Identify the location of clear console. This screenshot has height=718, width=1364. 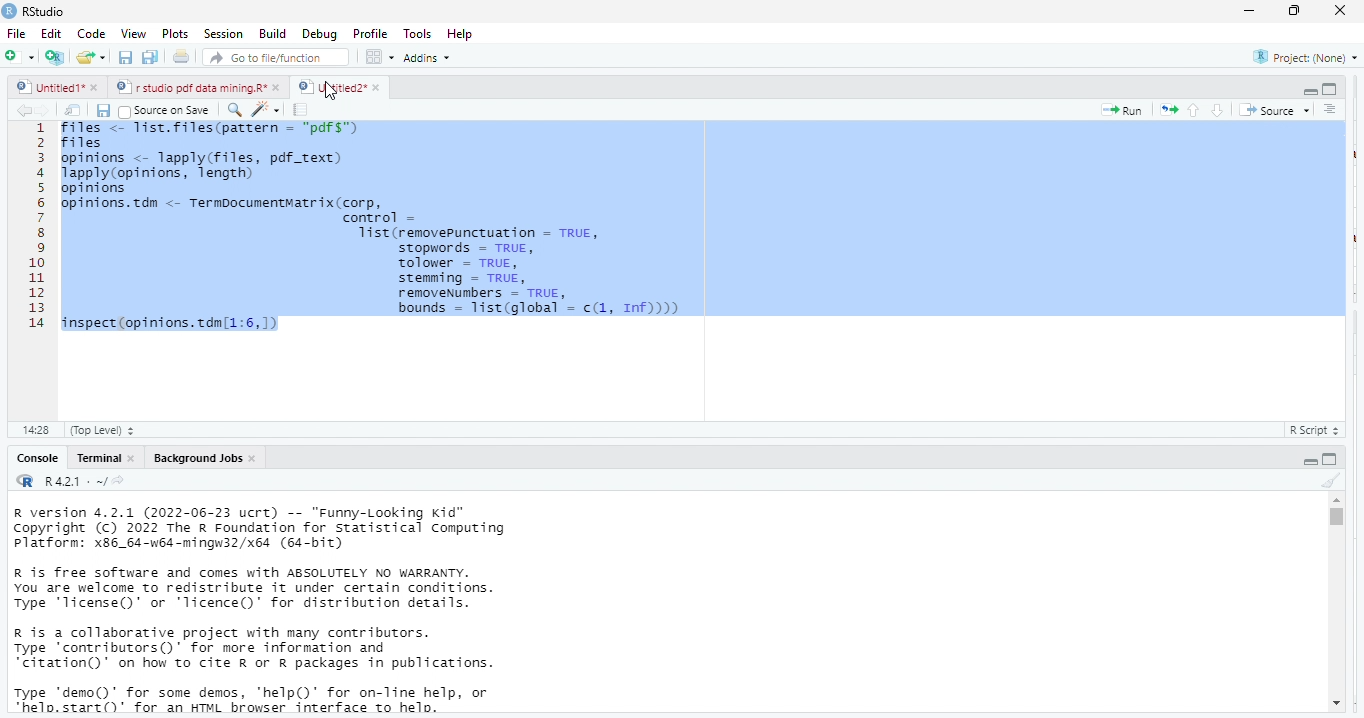
(1330, 478).